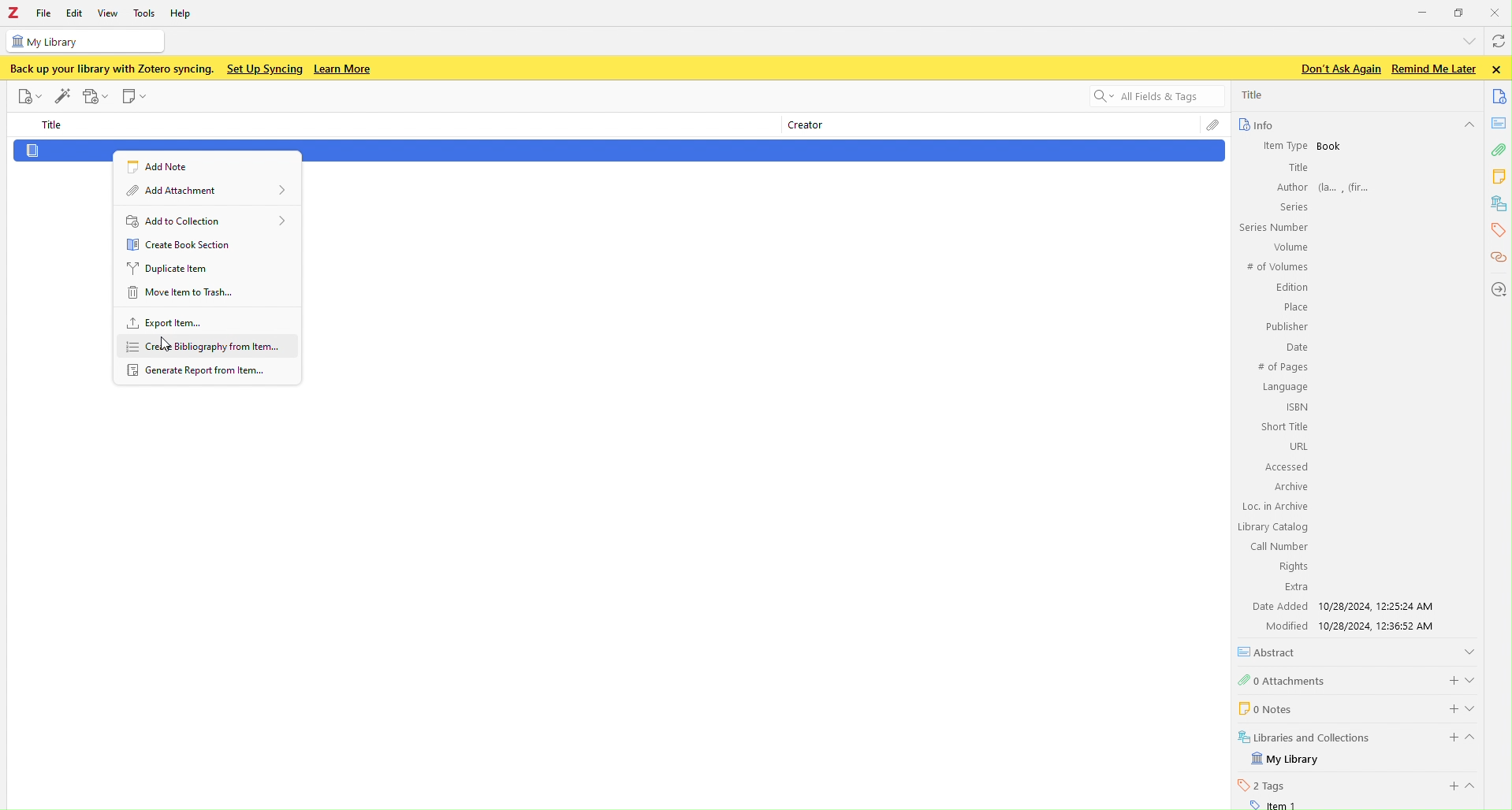  What do you see at coordinates (1497, 288) in the screenshot?
I see `location` at bounding box center [1497, 288].